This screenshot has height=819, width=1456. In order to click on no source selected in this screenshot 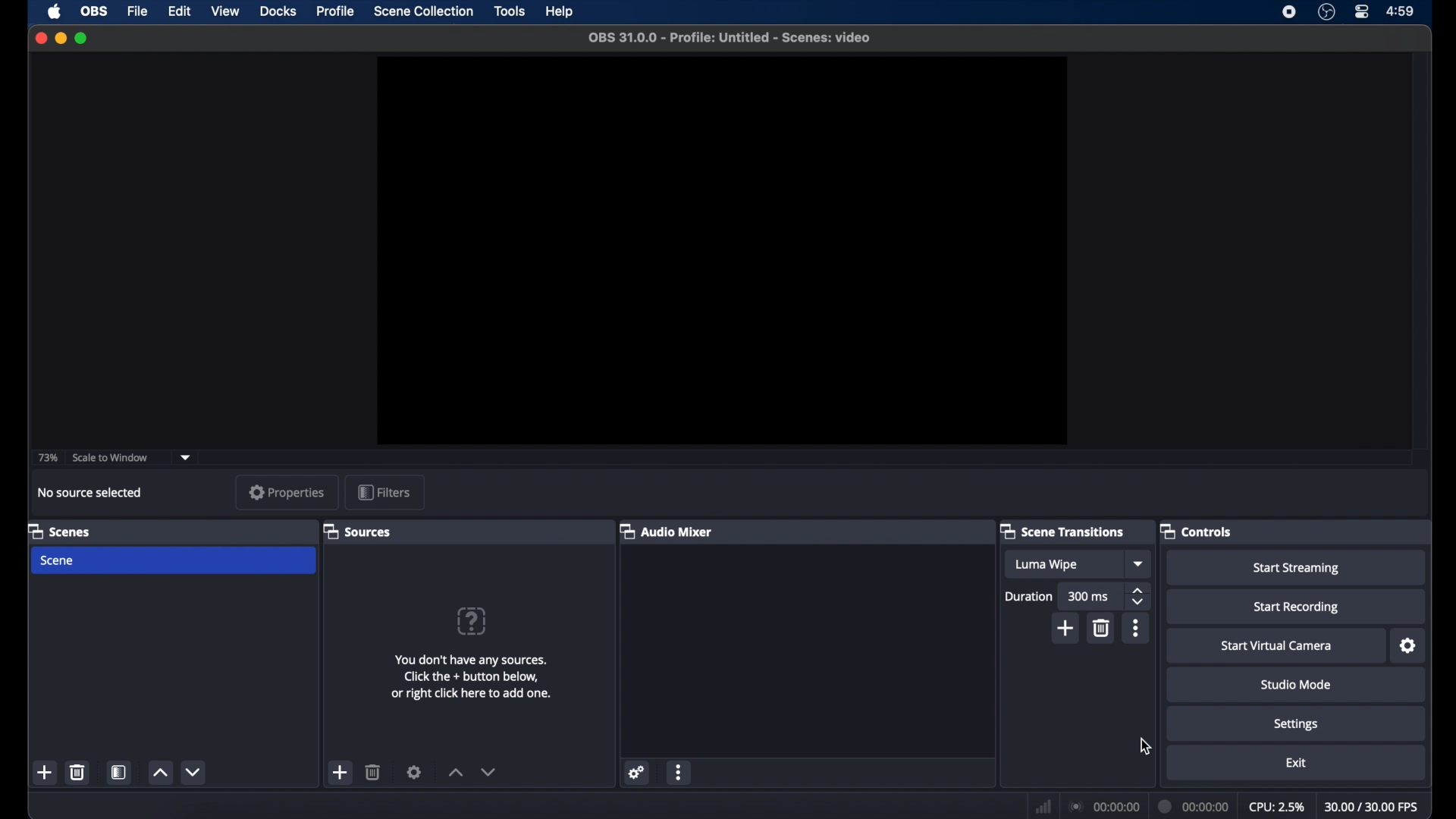, I will do `click(89, 491)`.